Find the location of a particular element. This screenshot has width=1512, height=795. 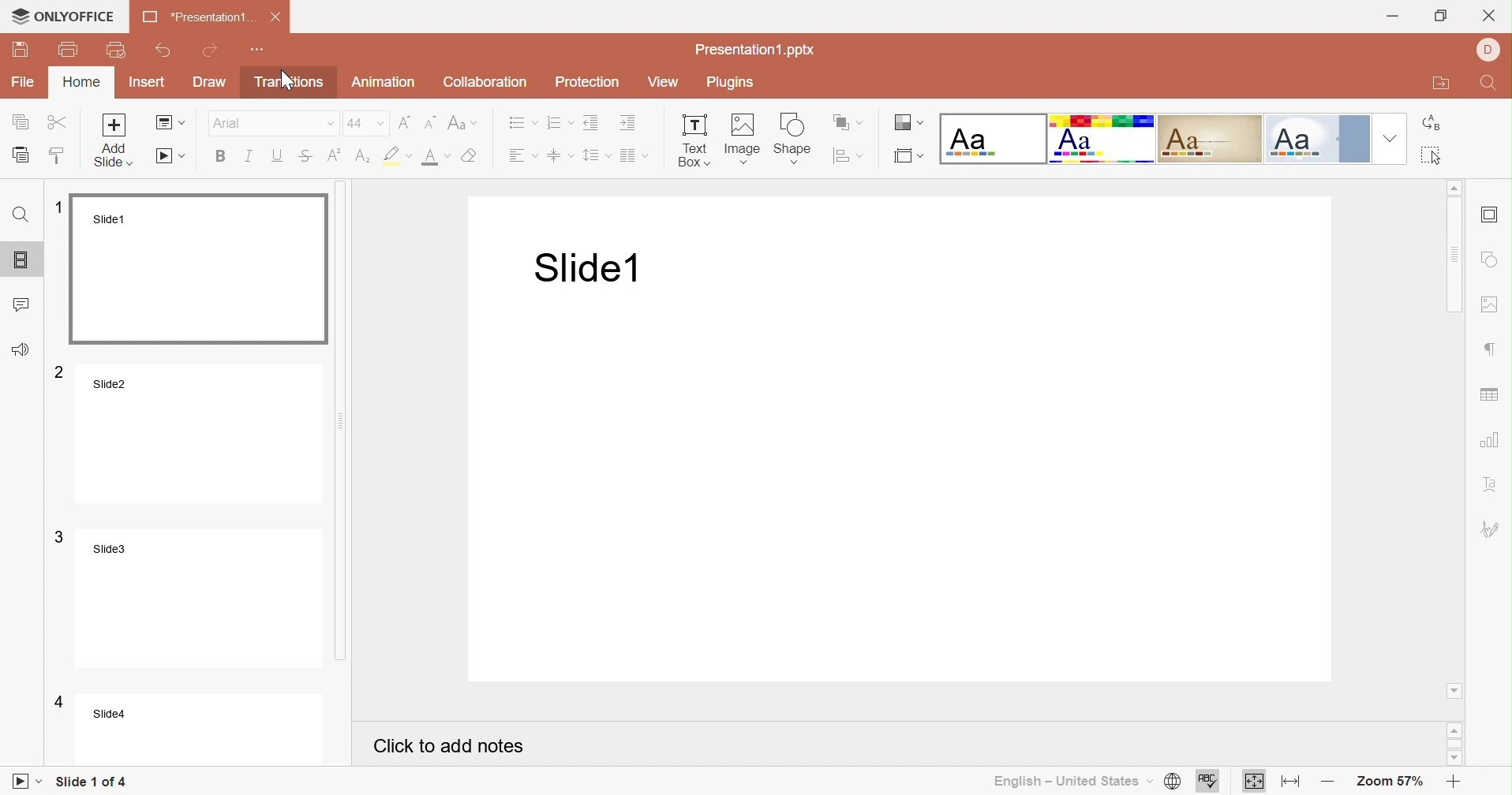

Underline is located at coordinates (279, 157).